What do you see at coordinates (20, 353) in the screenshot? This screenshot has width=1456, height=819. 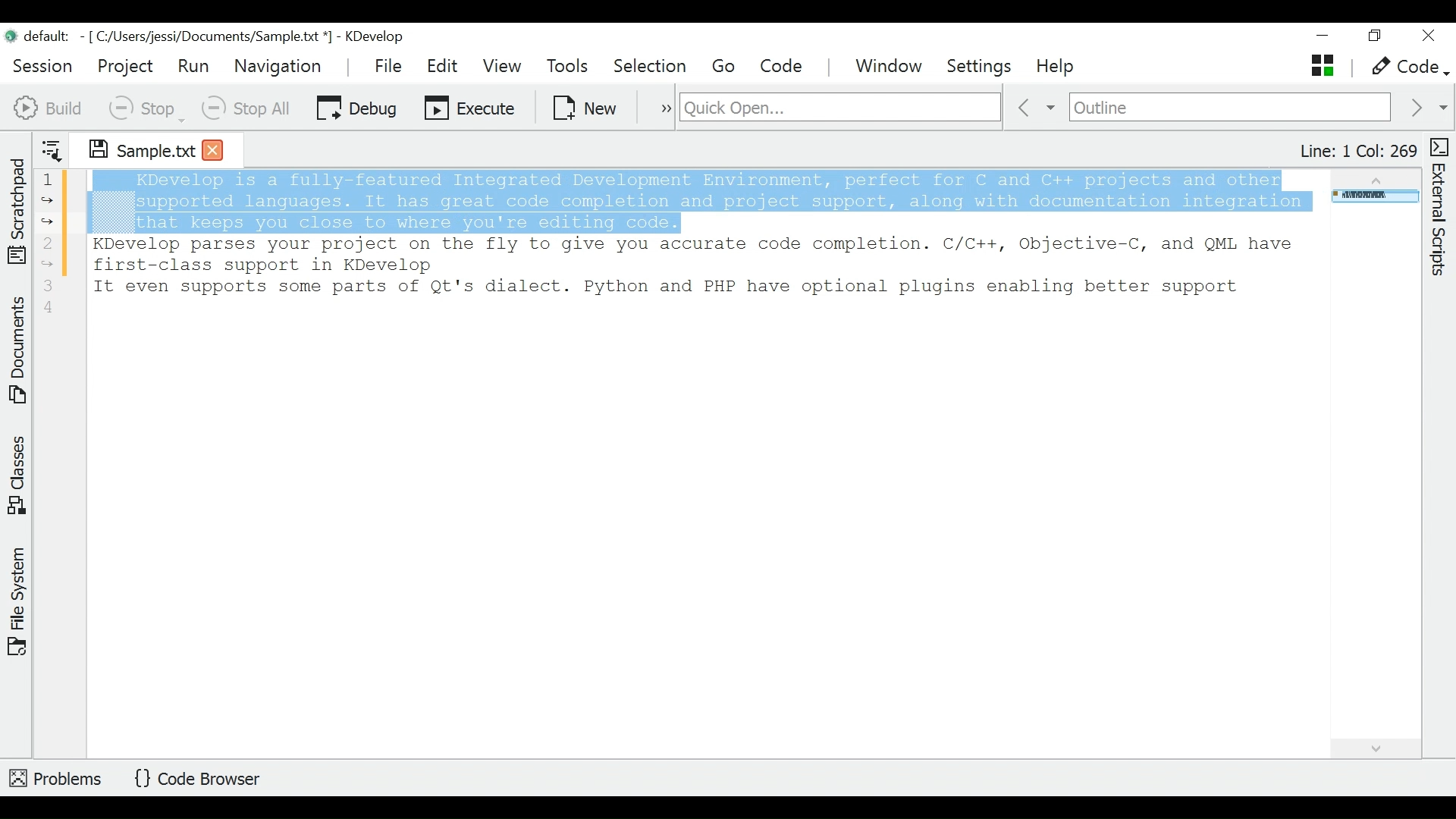 I see `Documents` at bounding box center [20, 353].